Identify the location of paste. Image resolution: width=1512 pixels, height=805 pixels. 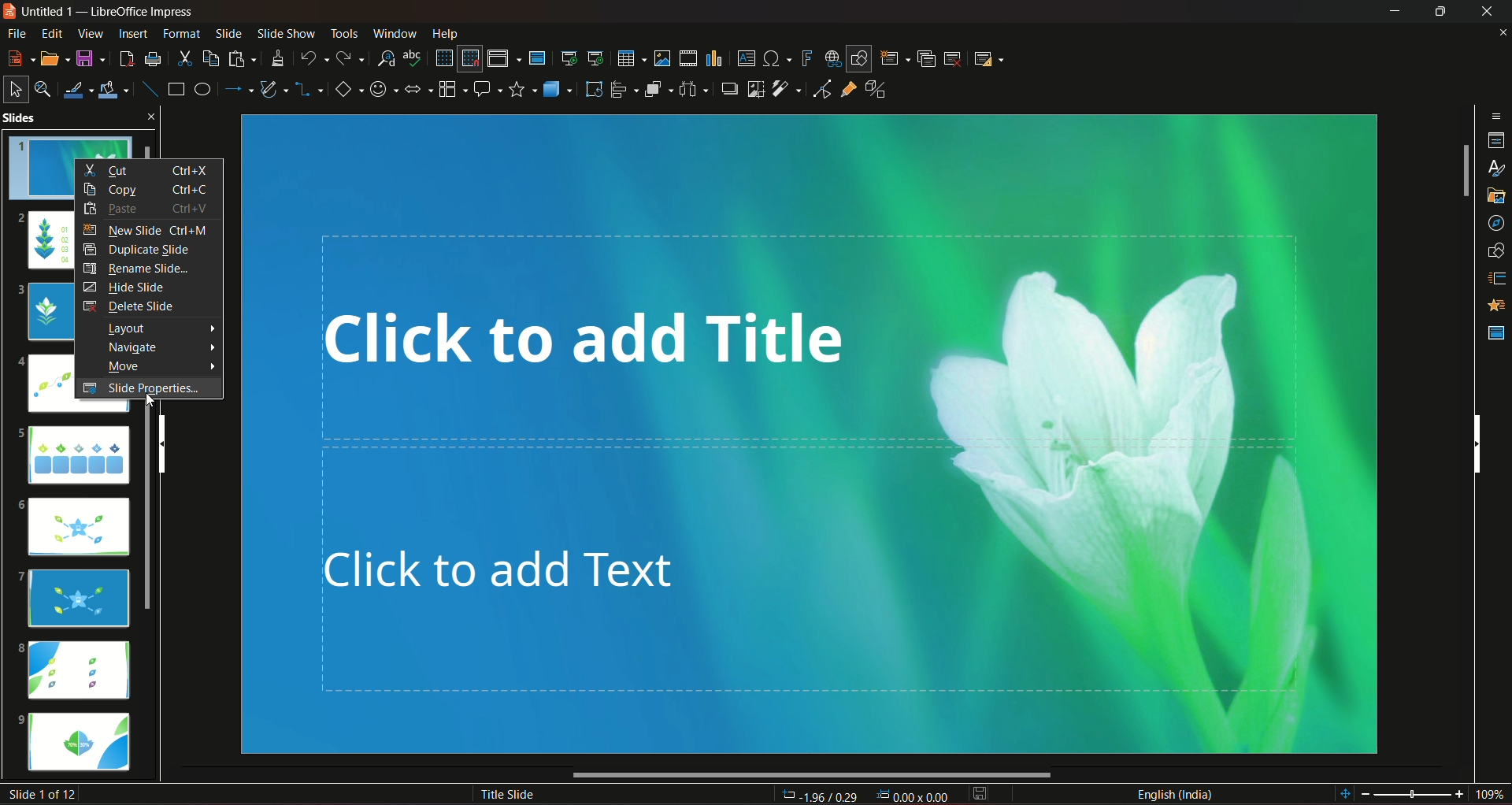
(119, 210).